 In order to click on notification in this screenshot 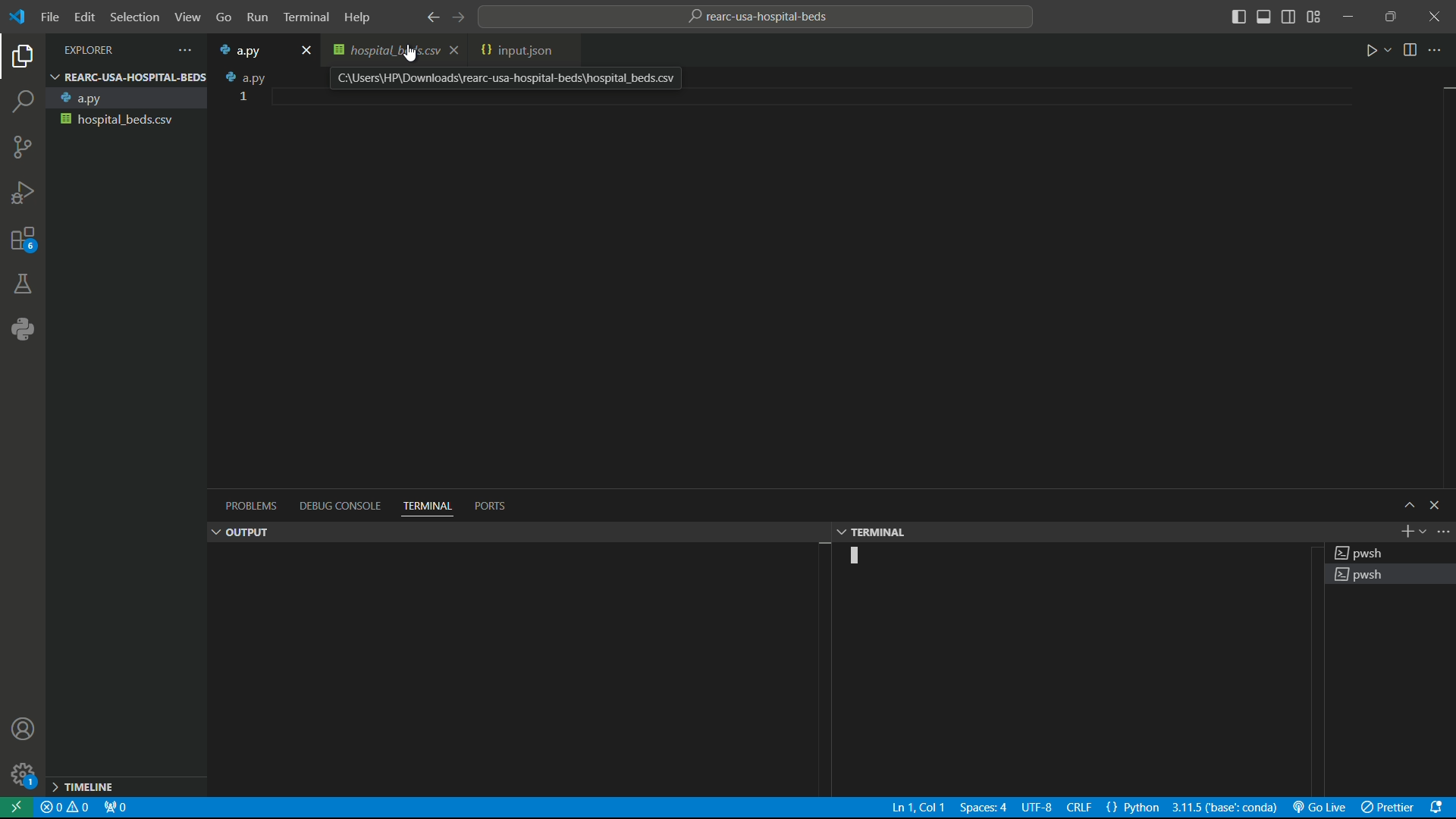, I will do `click(1442, 810)`.